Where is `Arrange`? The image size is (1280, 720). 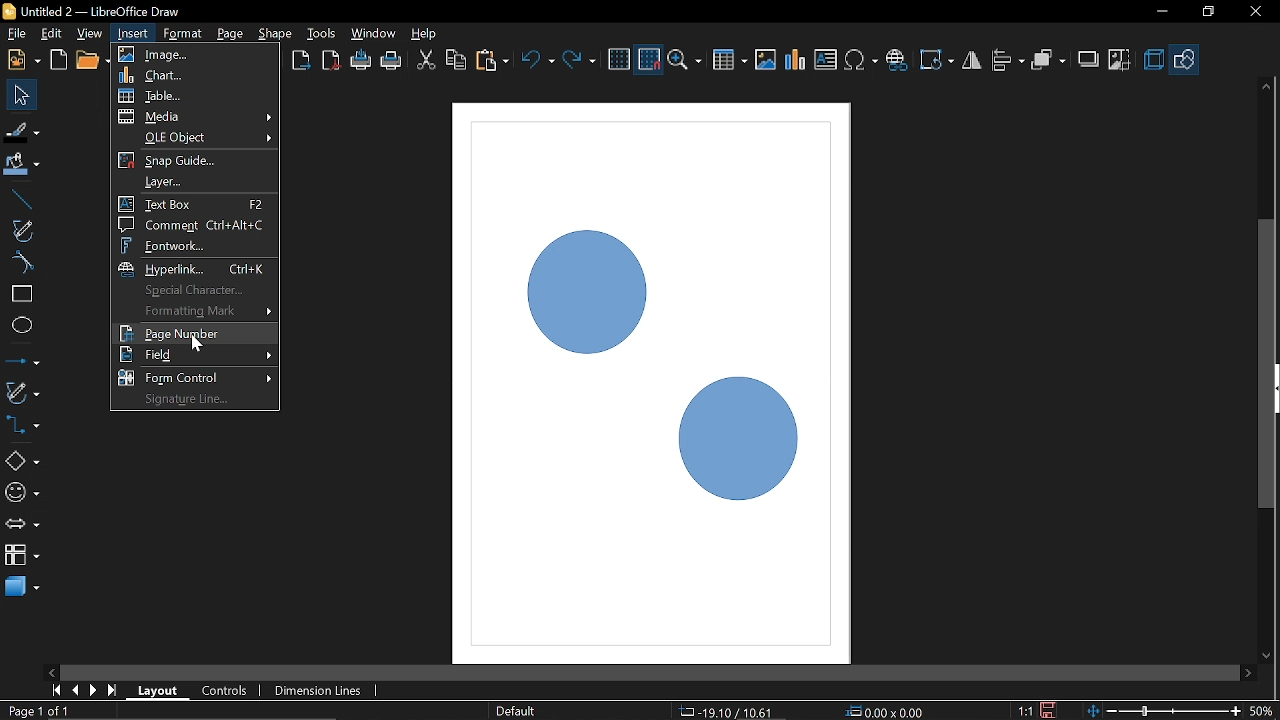 Arrange is located at coordinates (1048, 61).